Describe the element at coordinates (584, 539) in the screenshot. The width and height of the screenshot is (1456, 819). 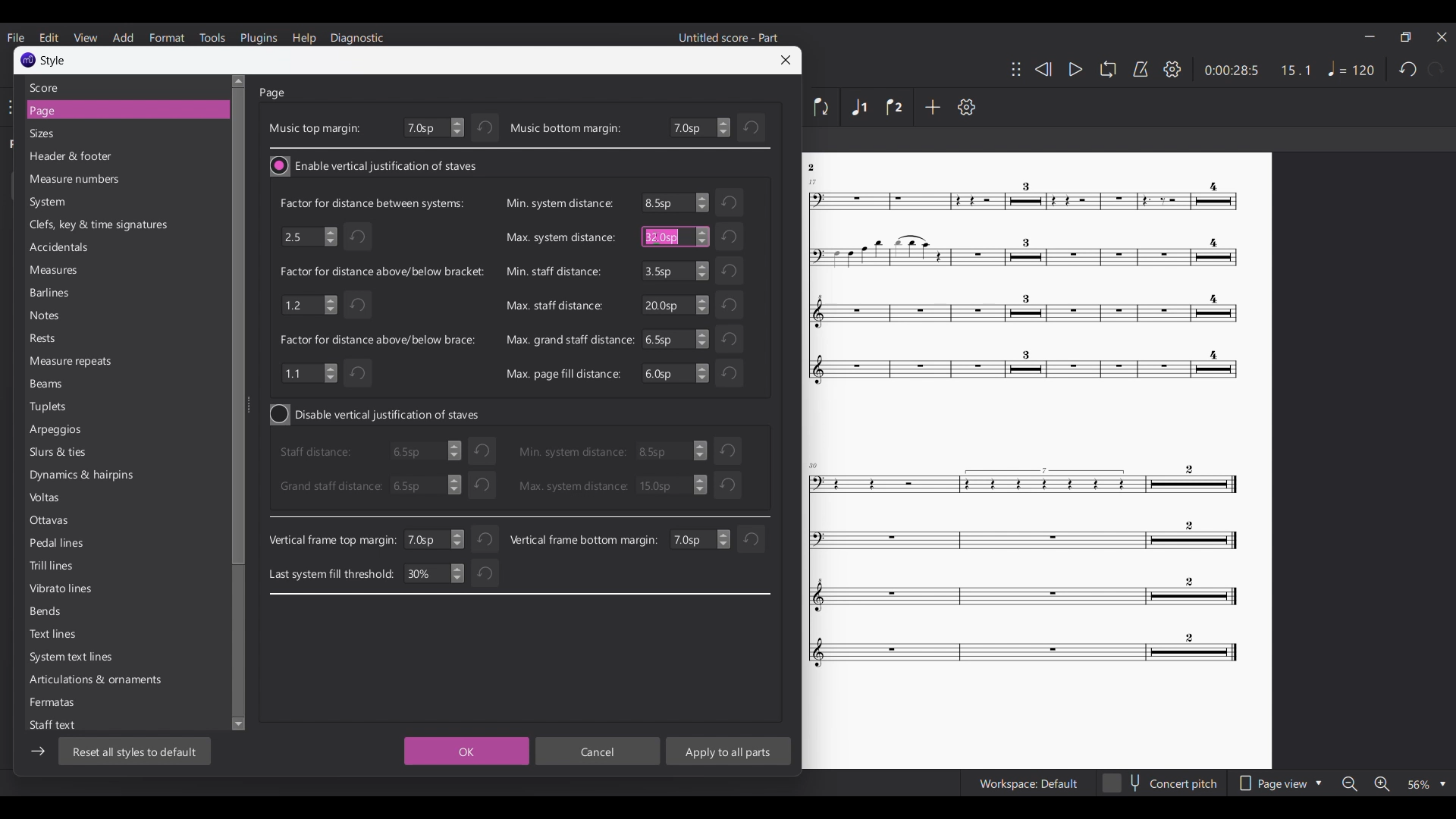
I see `Vertical frame bottom margin` at that location.